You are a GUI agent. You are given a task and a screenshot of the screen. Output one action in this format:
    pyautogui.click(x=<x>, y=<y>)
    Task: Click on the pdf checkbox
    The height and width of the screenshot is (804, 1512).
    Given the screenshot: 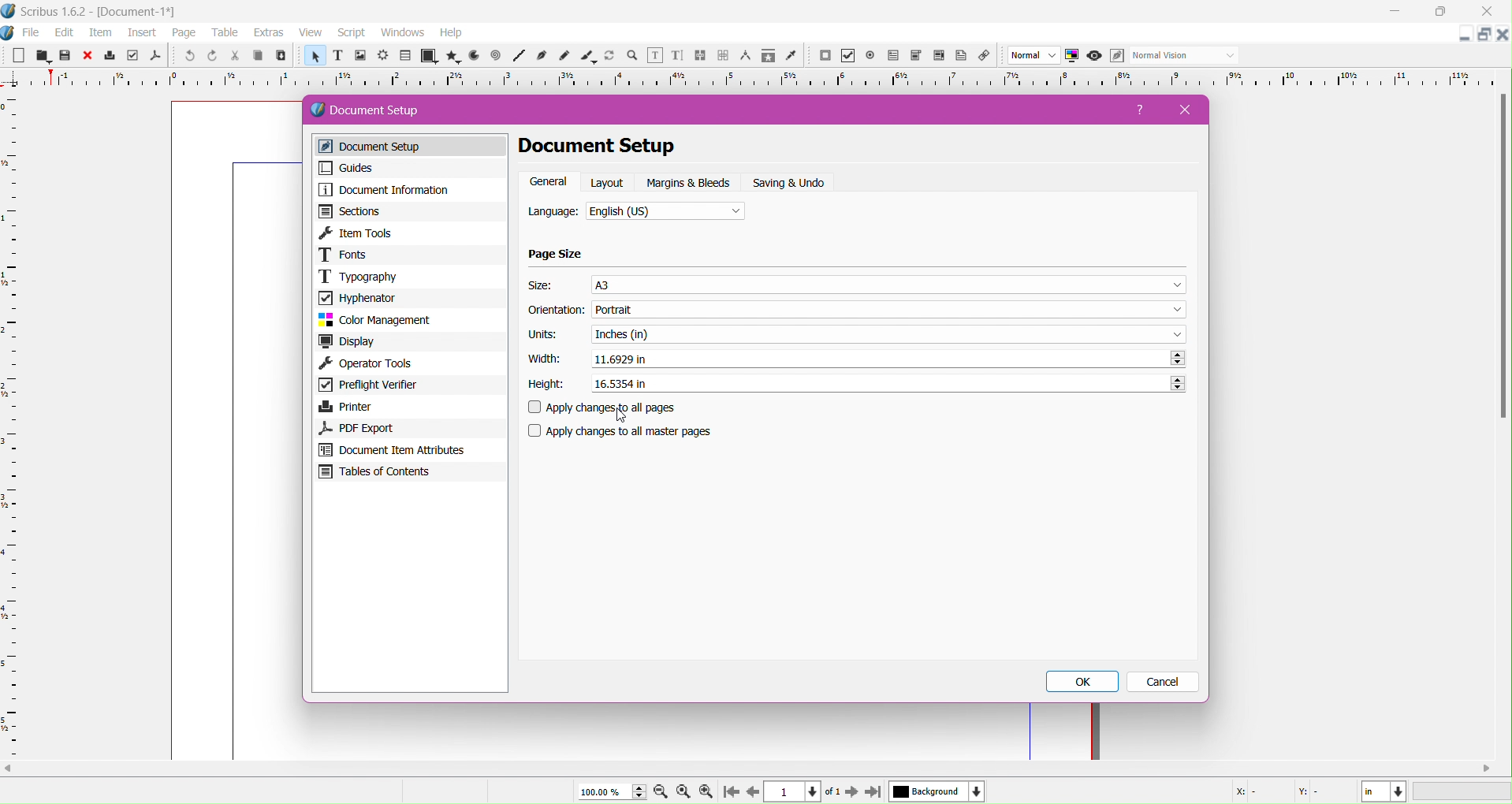 What is the action you would take?
    pyautogui.click(x=892, y=56)
    